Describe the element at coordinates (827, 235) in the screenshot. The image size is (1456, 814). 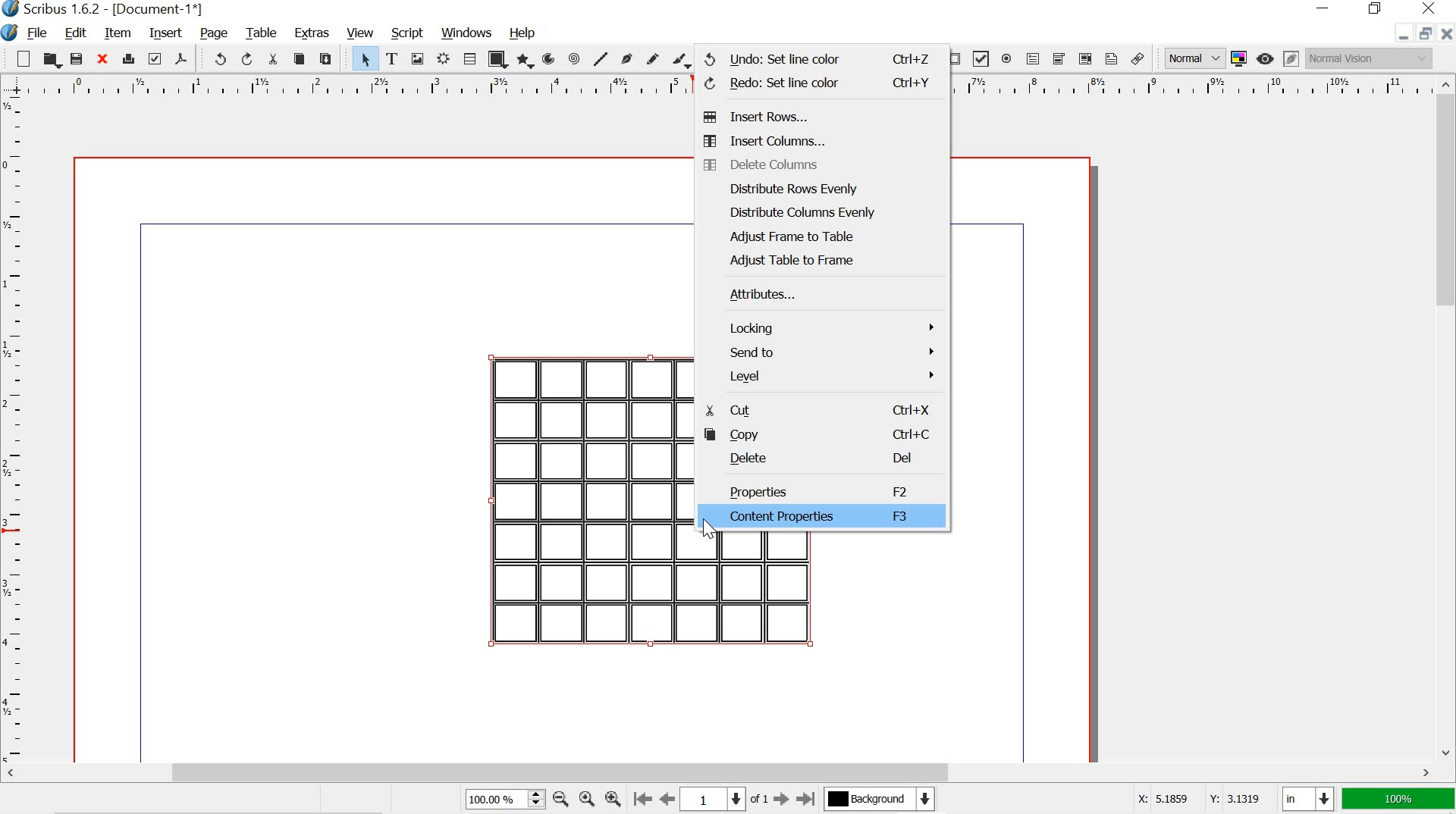
I see `adjust frame to table` at that location.